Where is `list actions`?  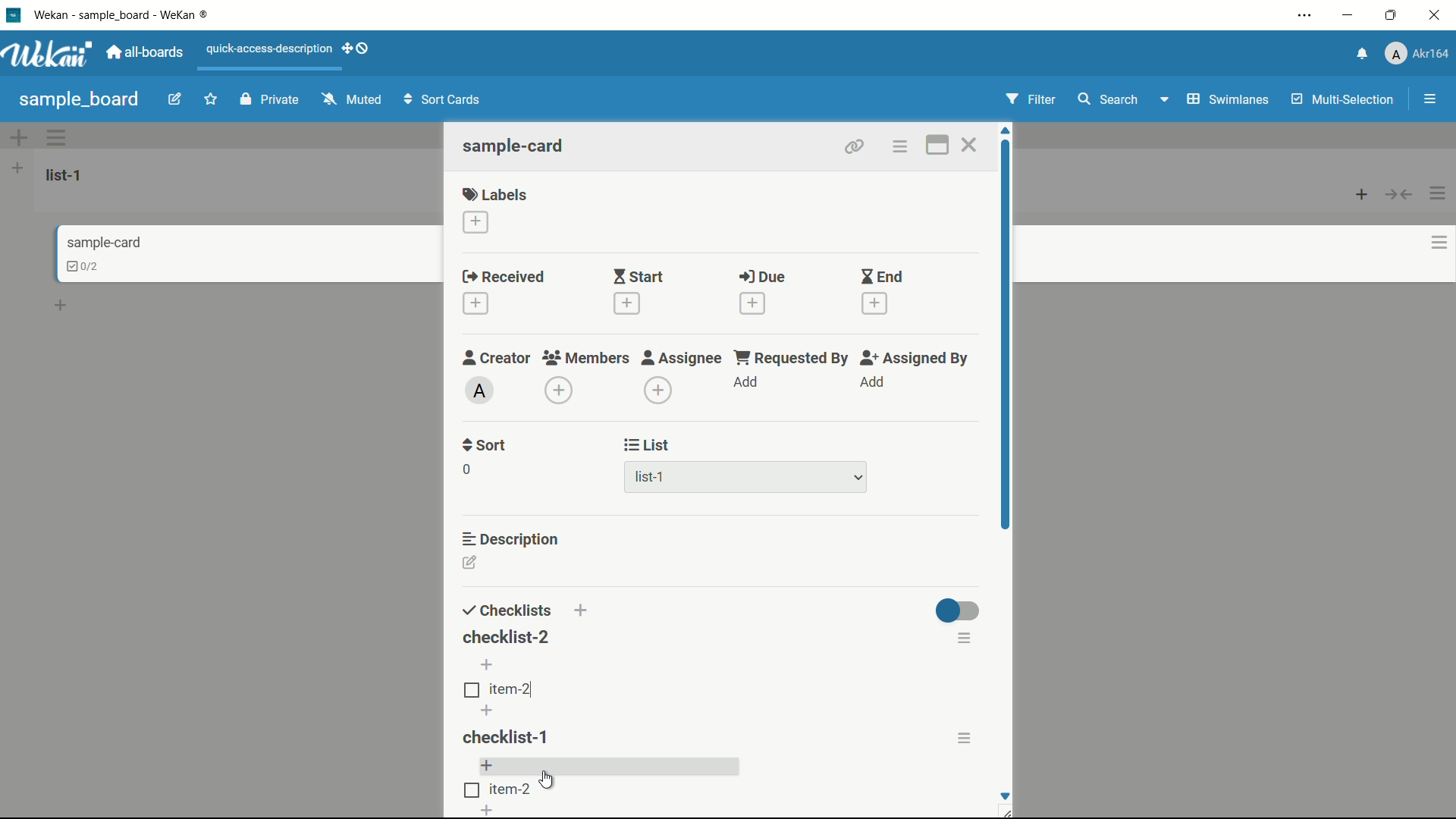 list actions is located at coordinates (1439, 193).